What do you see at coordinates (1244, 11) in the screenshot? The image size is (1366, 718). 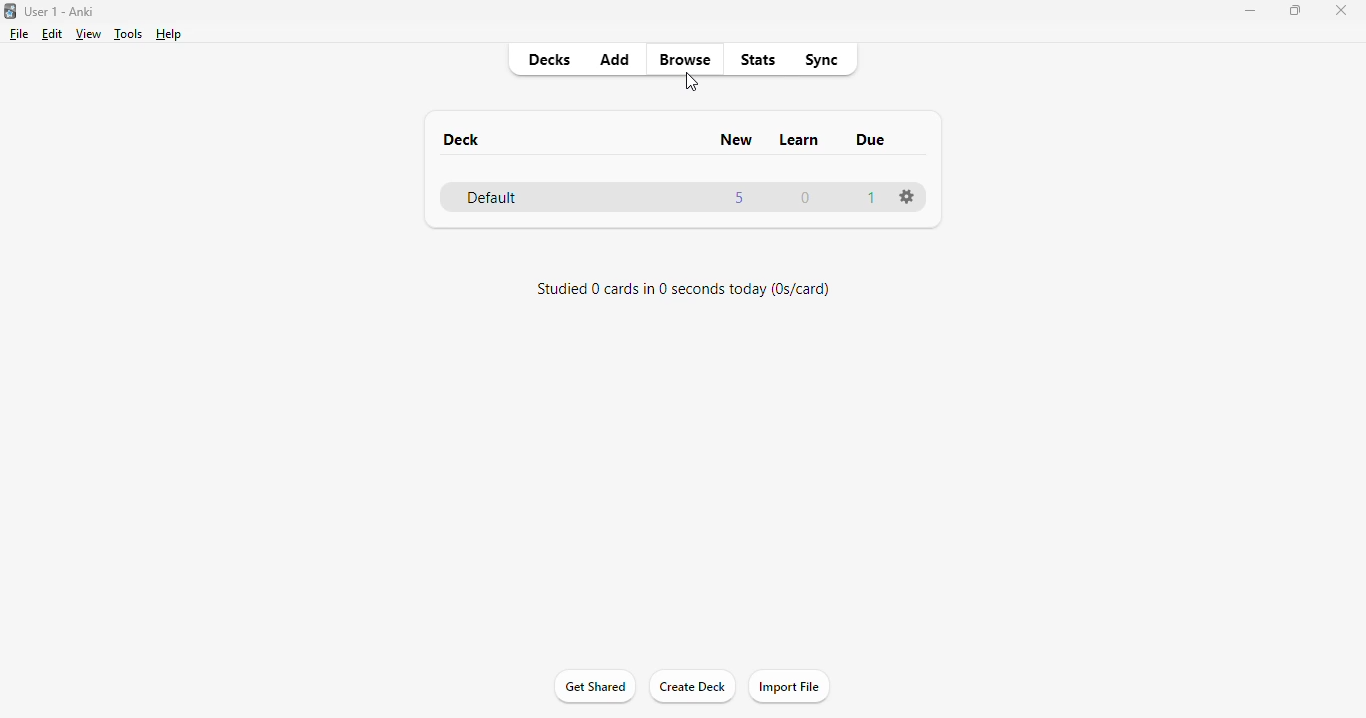 I see `minimize` at bounding box center [1244, 11].